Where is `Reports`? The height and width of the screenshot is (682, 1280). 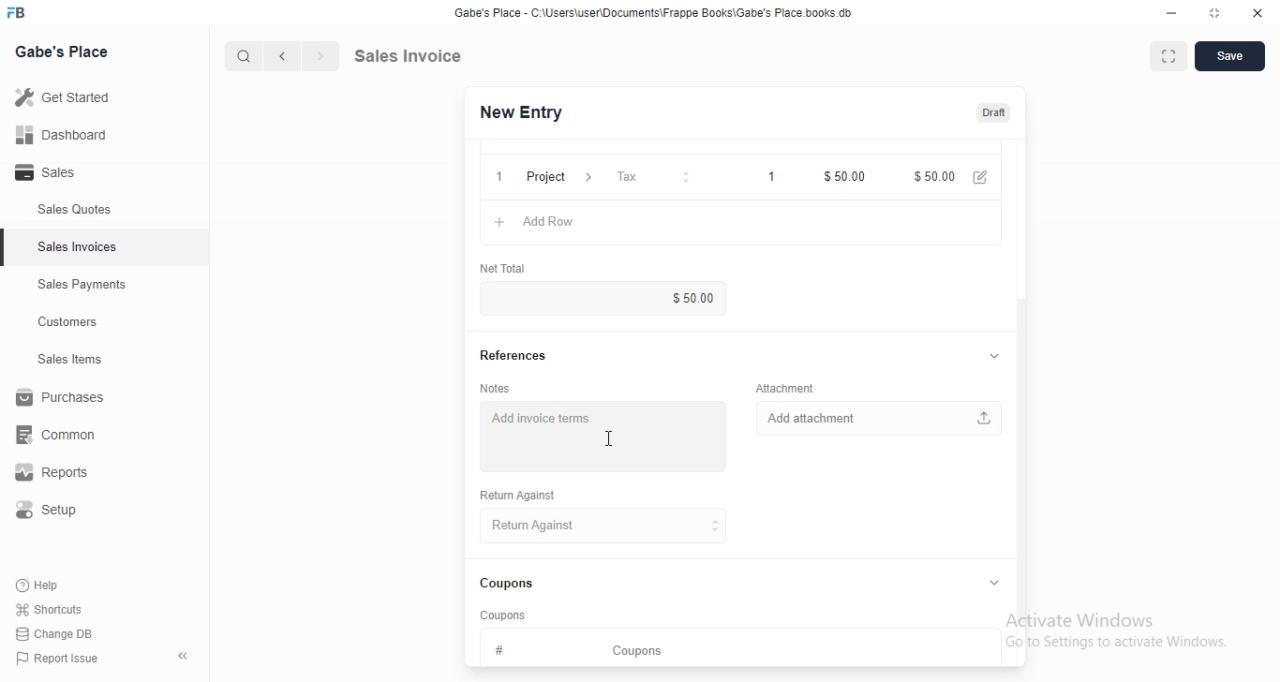
Reports is located at coordinates (65, 475).